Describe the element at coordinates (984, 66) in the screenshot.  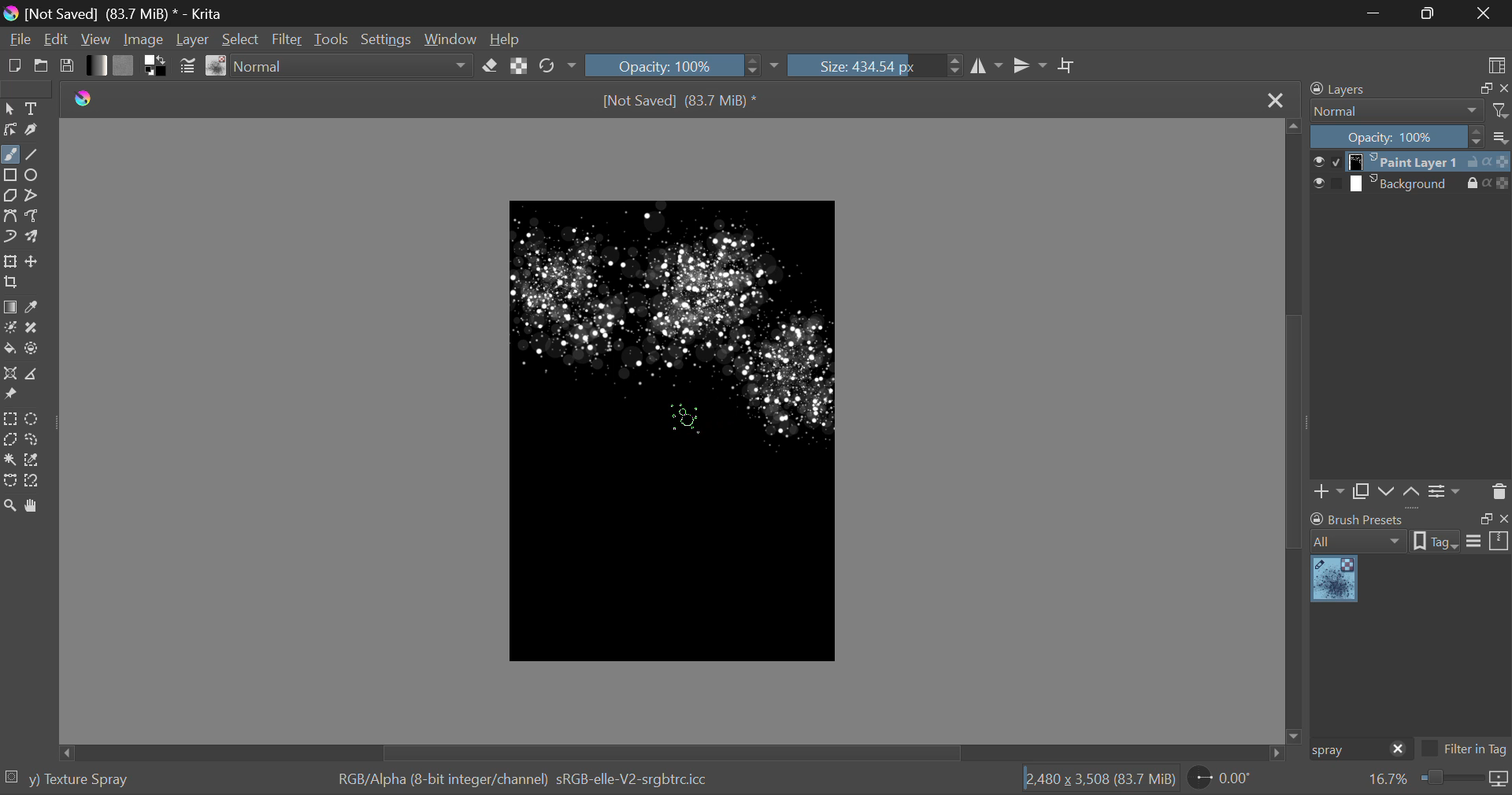
I see `Vertical Mirror Flip` at that location.